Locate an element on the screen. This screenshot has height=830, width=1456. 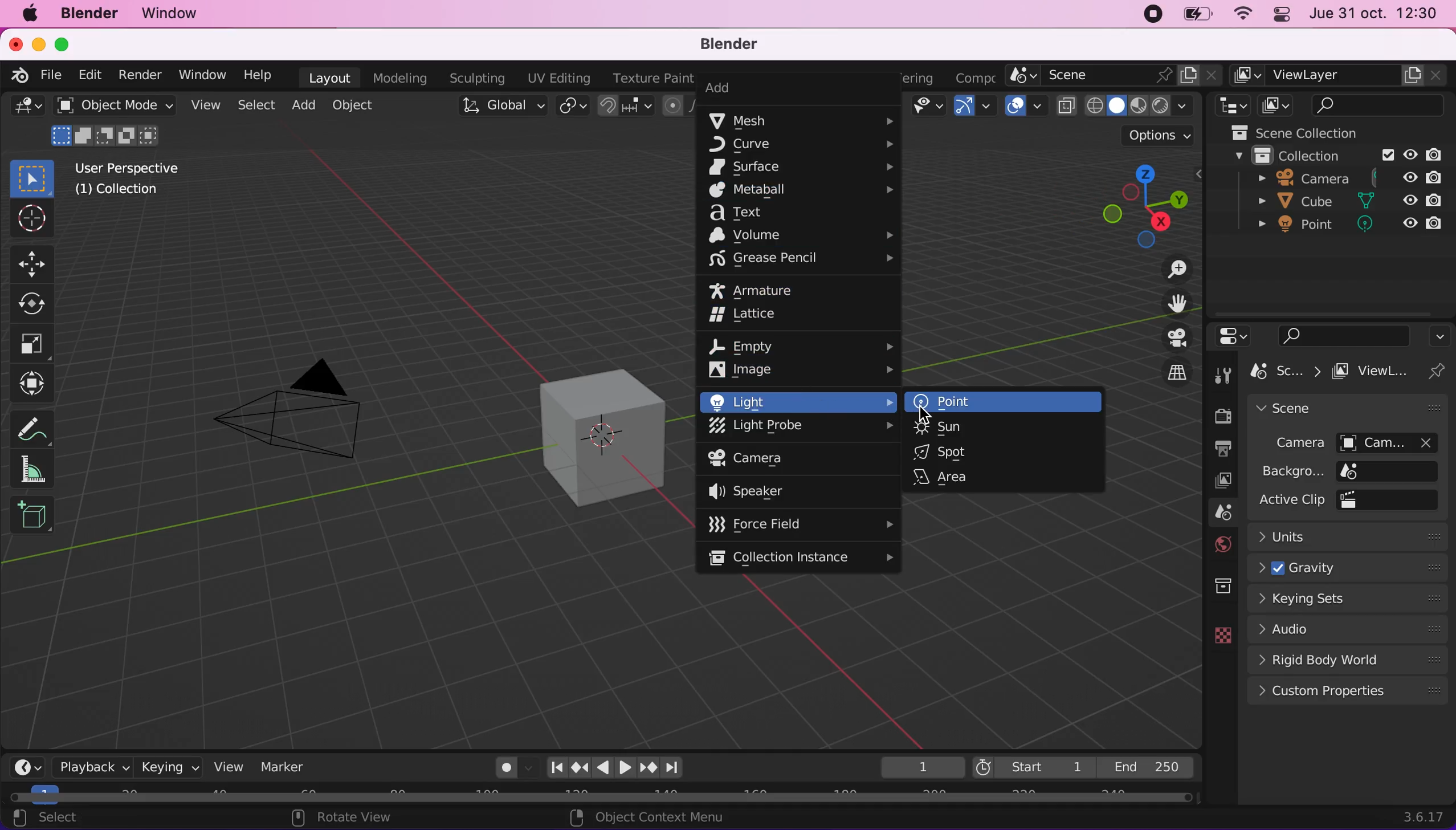
tool is located at coordinates (1222, 376).